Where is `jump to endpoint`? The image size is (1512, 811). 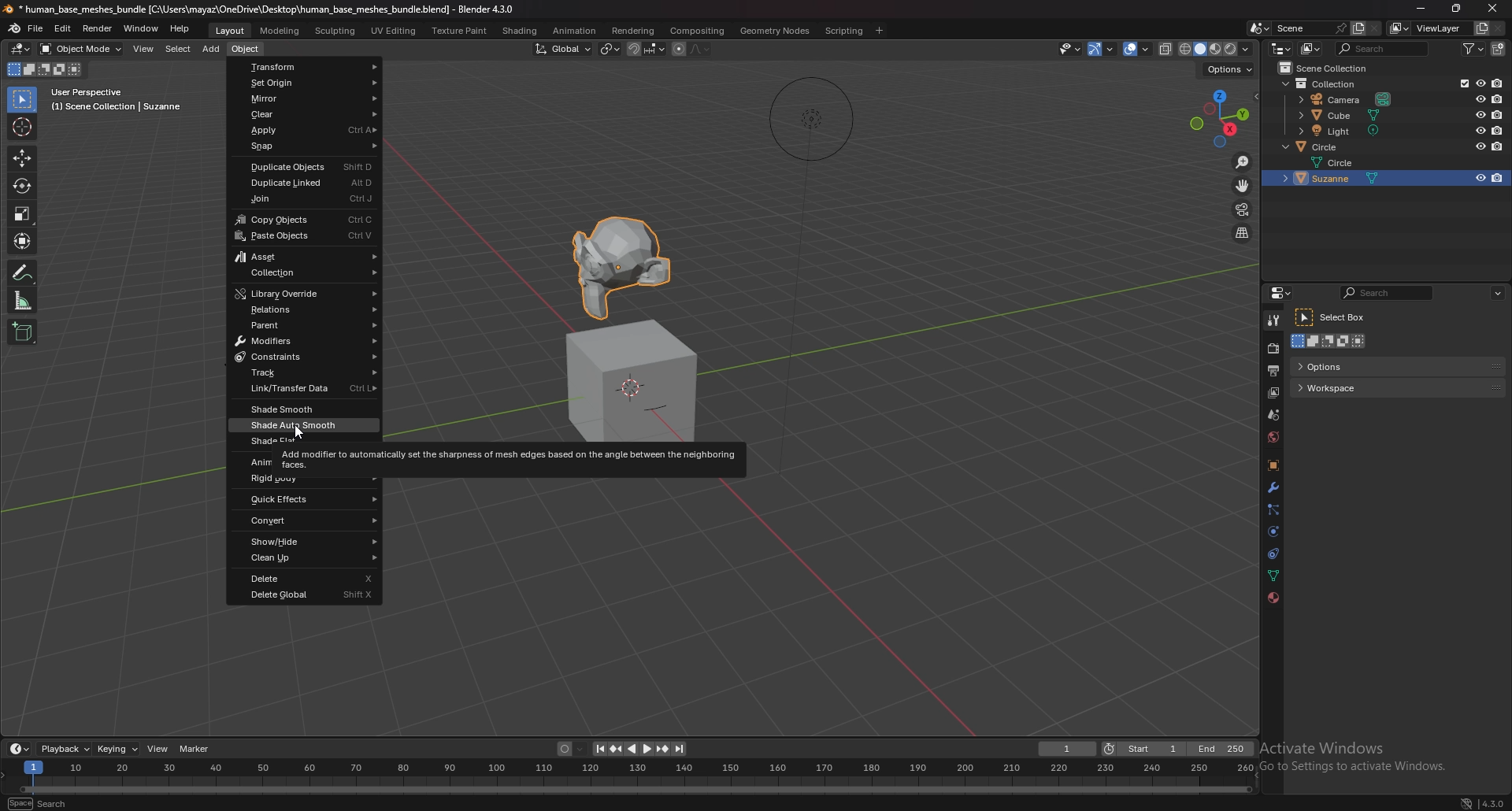 jump to endpoint is located at coordinates (596, 747).